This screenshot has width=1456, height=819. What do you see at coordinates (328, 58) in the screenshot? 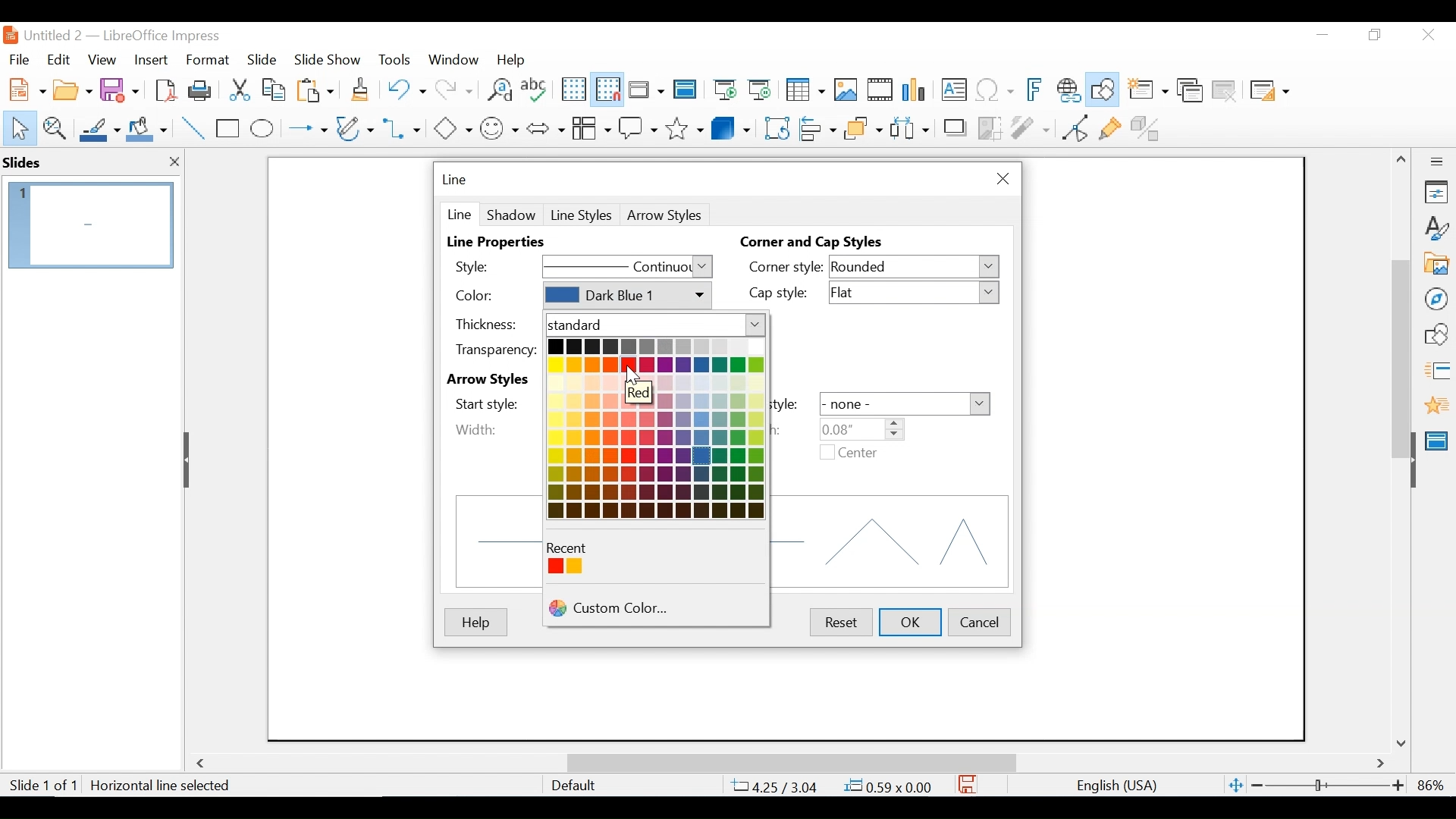
I see `Slide Show` at bounding box center [328, 58].